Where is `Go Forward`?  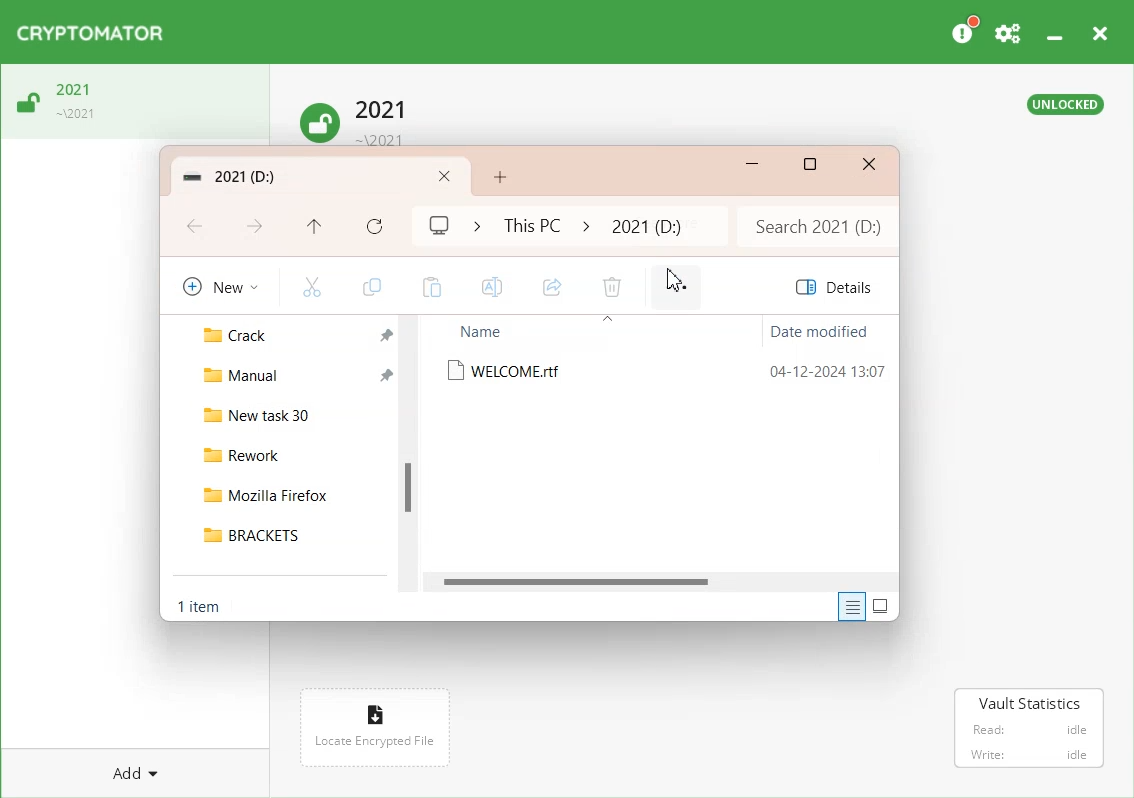
Go Forward is located at coordinates (256, 227).